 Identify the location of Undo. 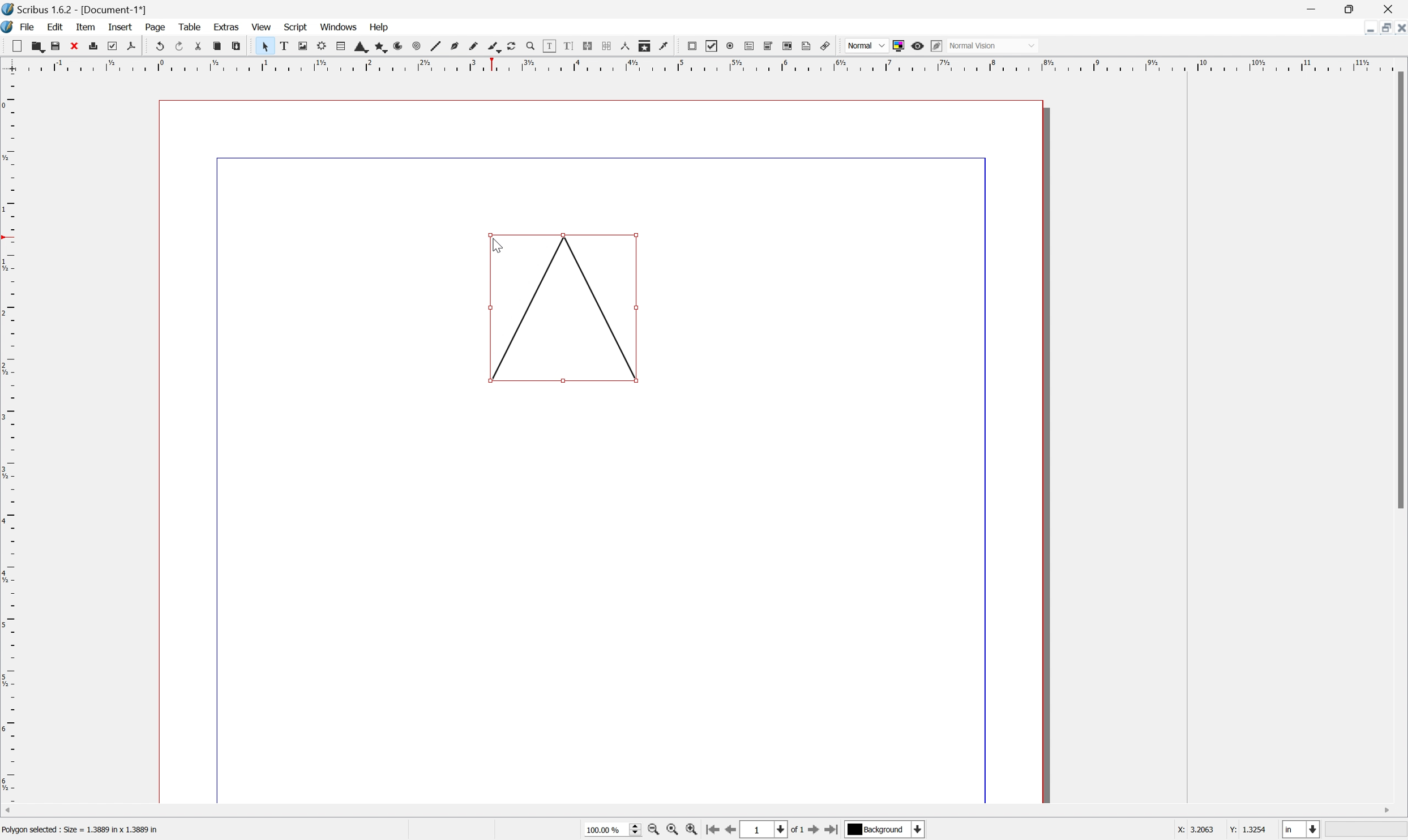
(157, 44).